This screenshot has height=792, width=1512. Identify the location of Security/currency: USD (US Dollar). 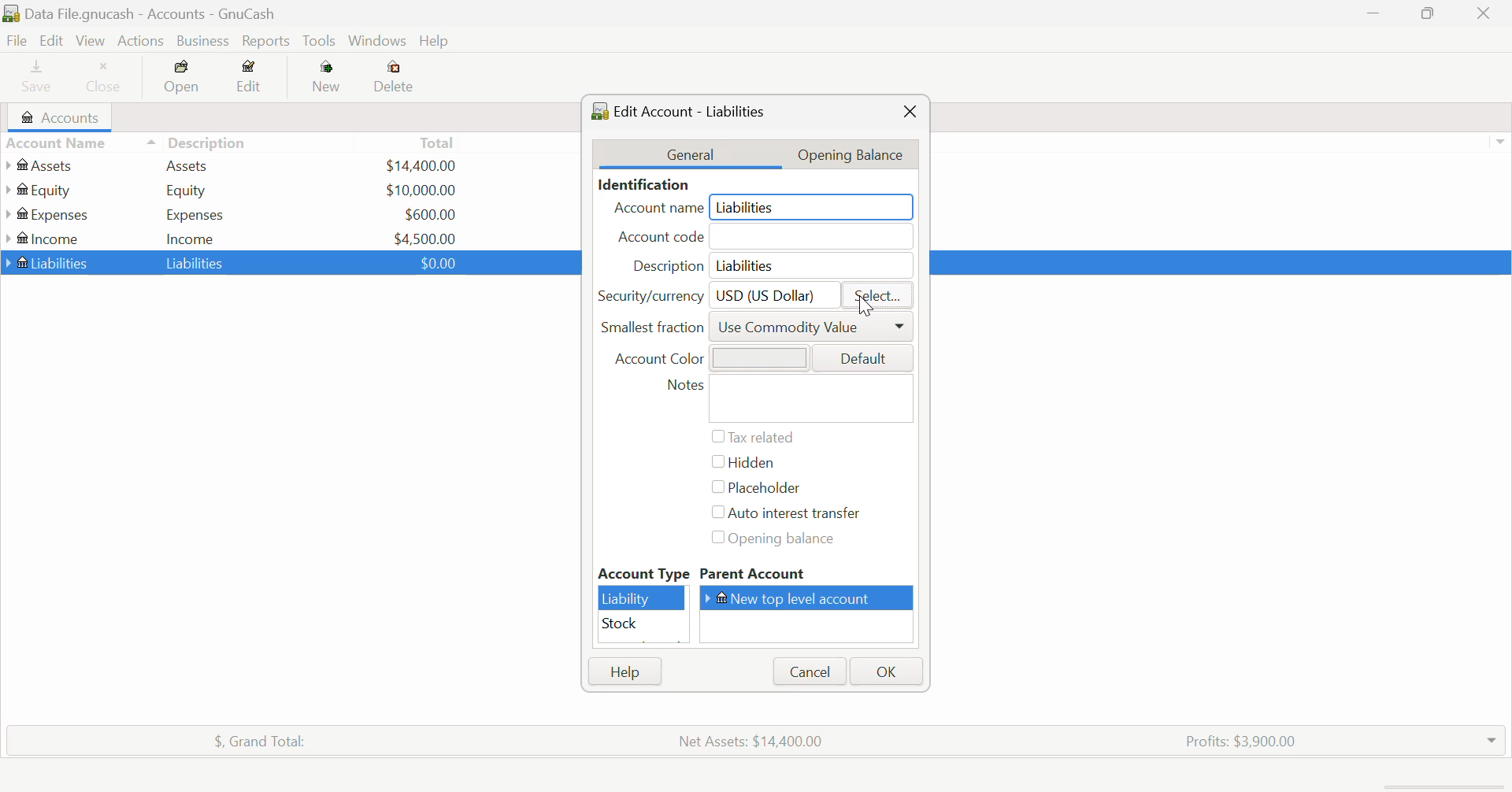
(712, 294).